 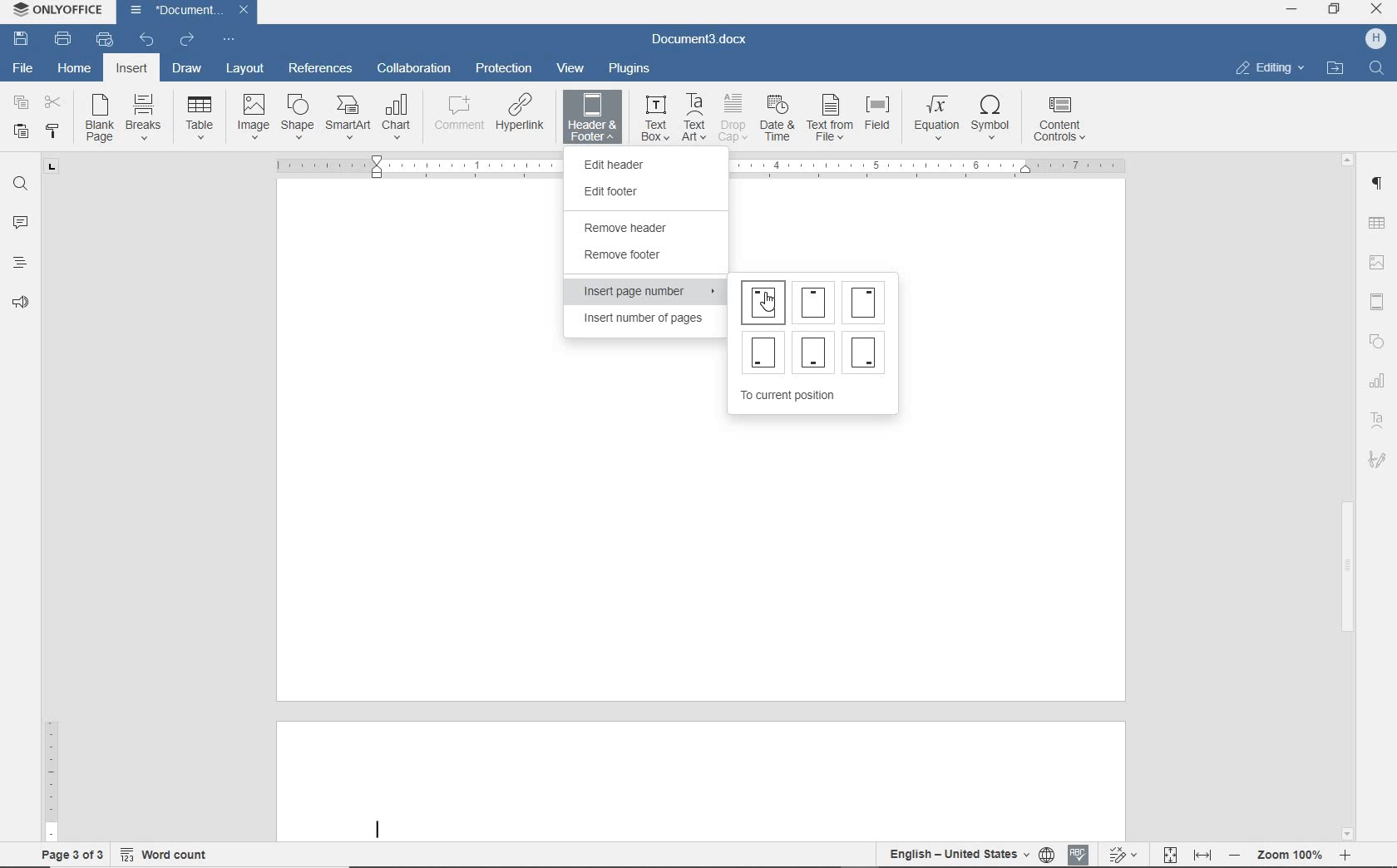 What do you see at coordinates (185, 70) in the screenshot?
I see `DRAW` at bounding box center [185, 70].